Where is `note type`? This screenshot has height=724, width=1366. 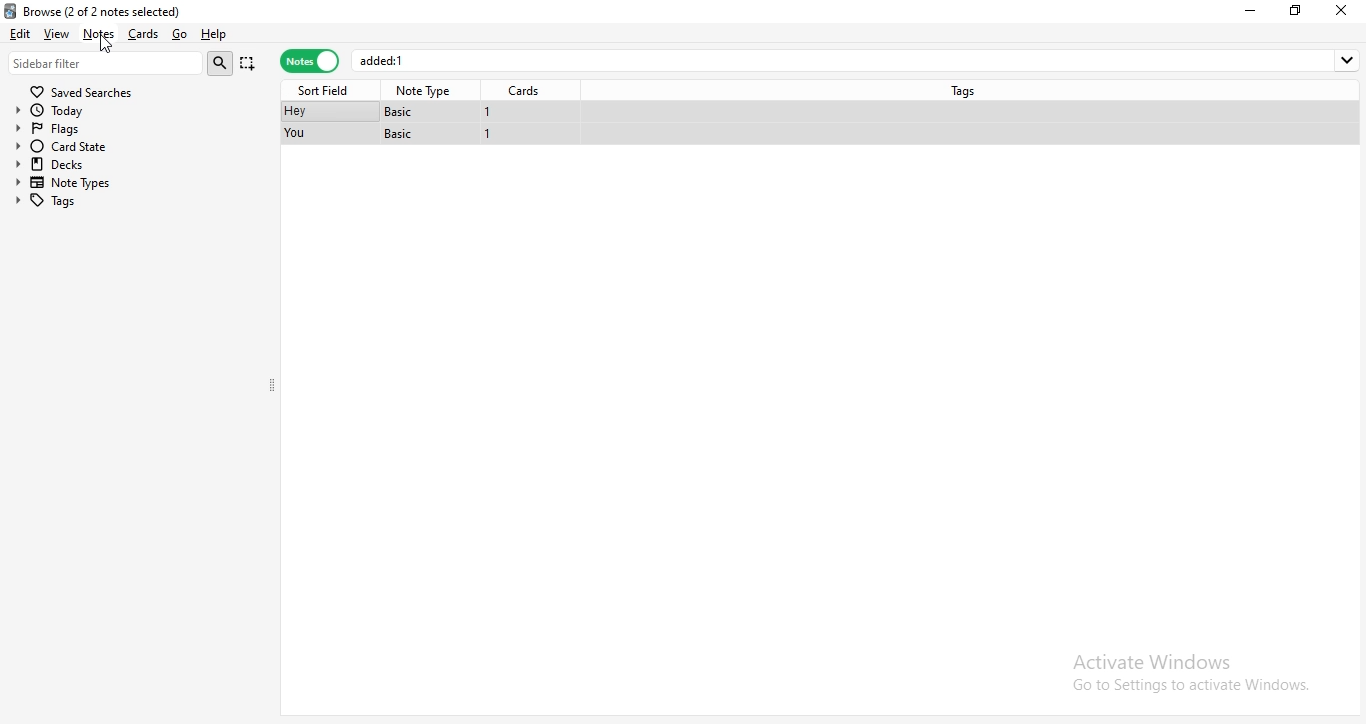
note type is located at coordinates (426, 91).